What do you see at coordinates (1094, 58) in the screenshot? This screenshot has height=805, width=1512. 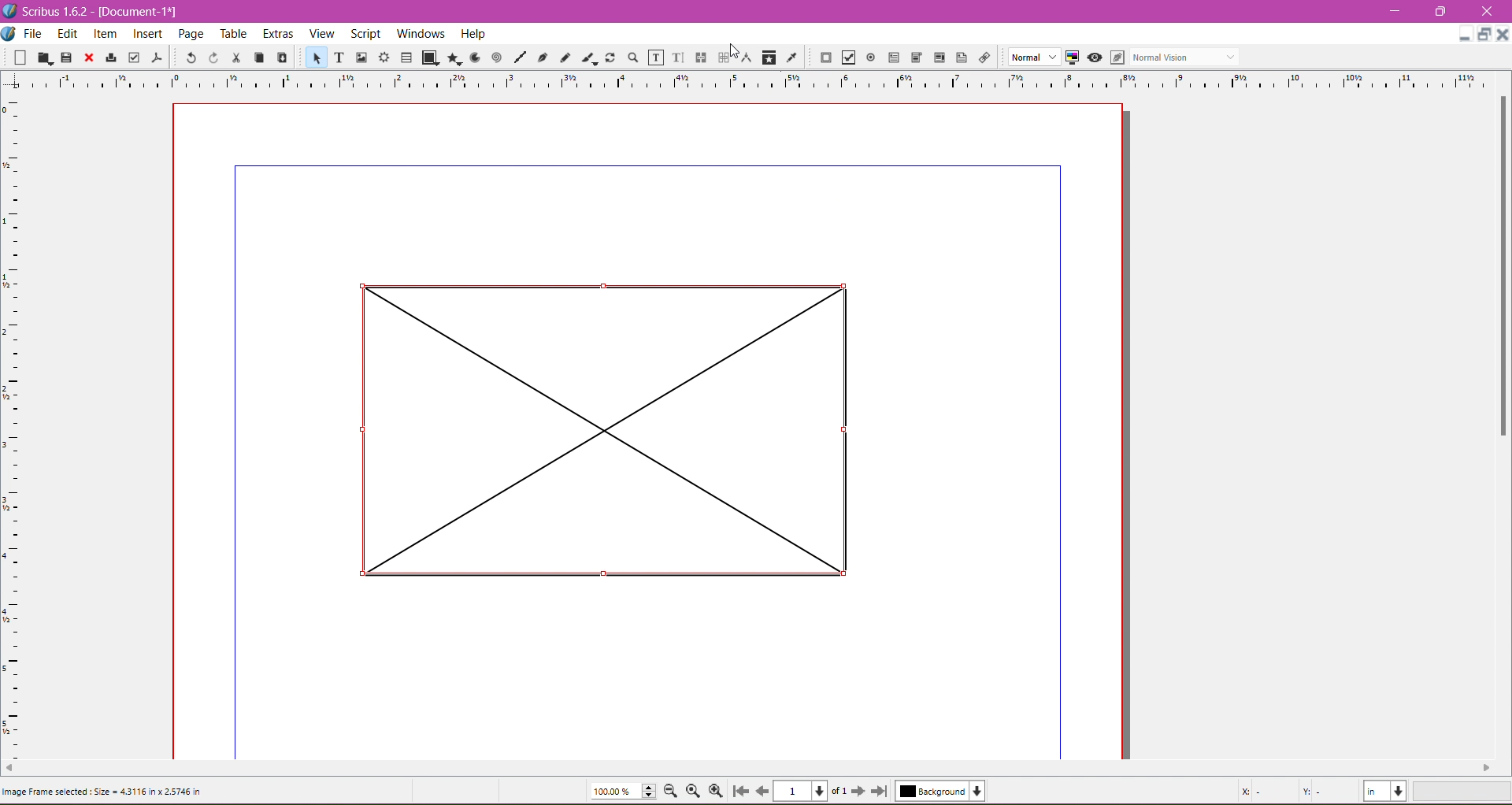 I see `Preview Mode` at bounding box center [1094, 58].